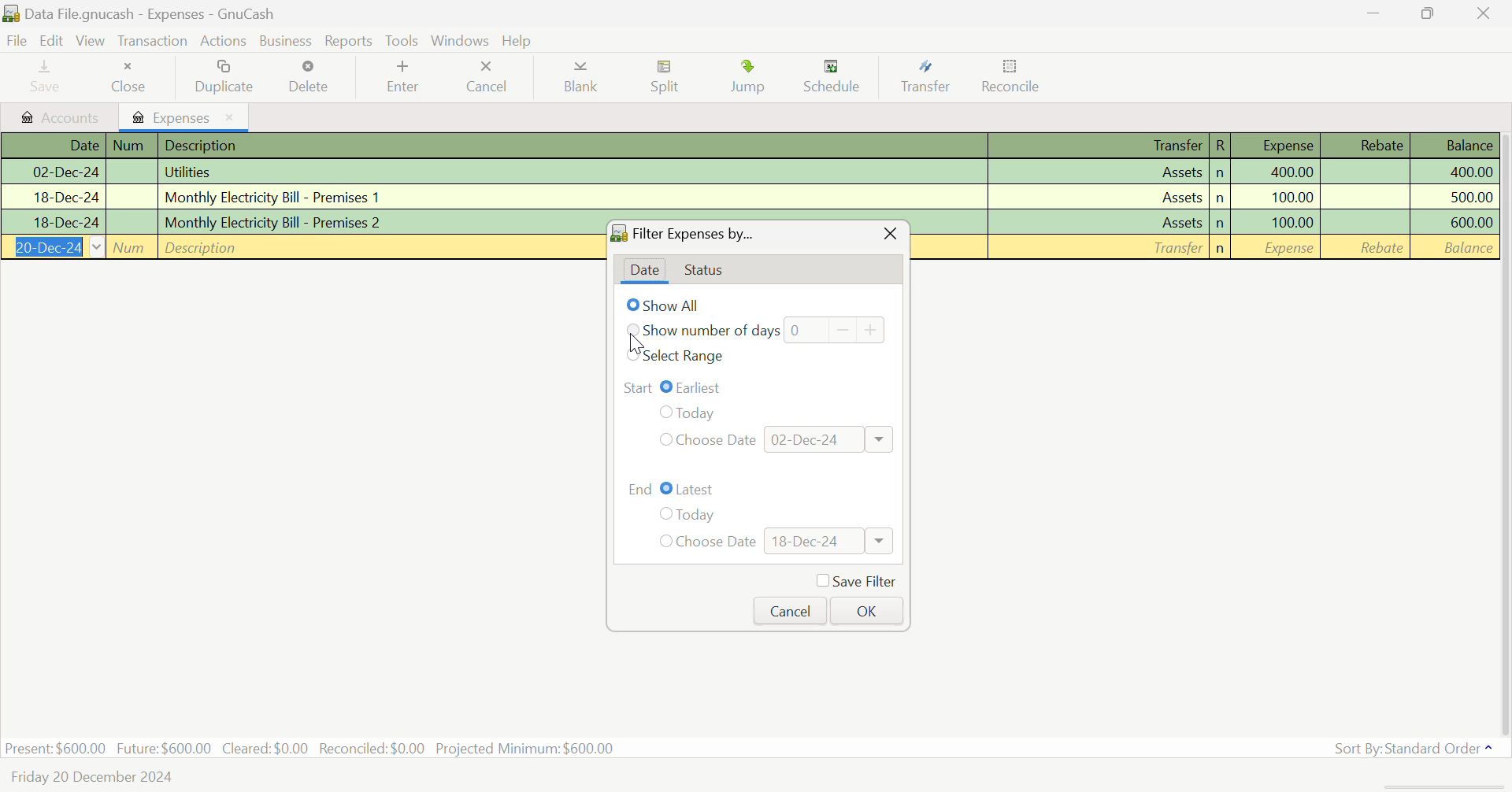 The width and height of the screenshot is (1512, 792). Describe the element at coordinates (164, 748) in the screenshot. I see `Future` at that location.